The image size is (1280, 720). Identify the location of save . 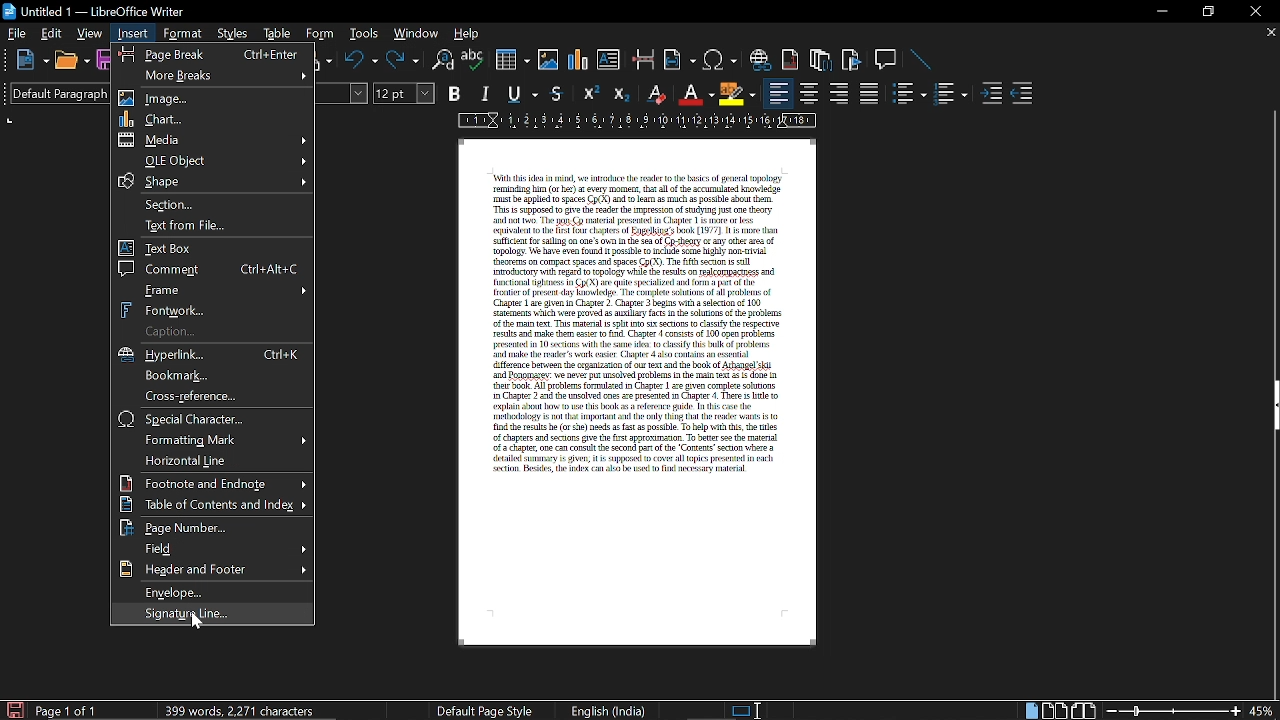
(14, 709).